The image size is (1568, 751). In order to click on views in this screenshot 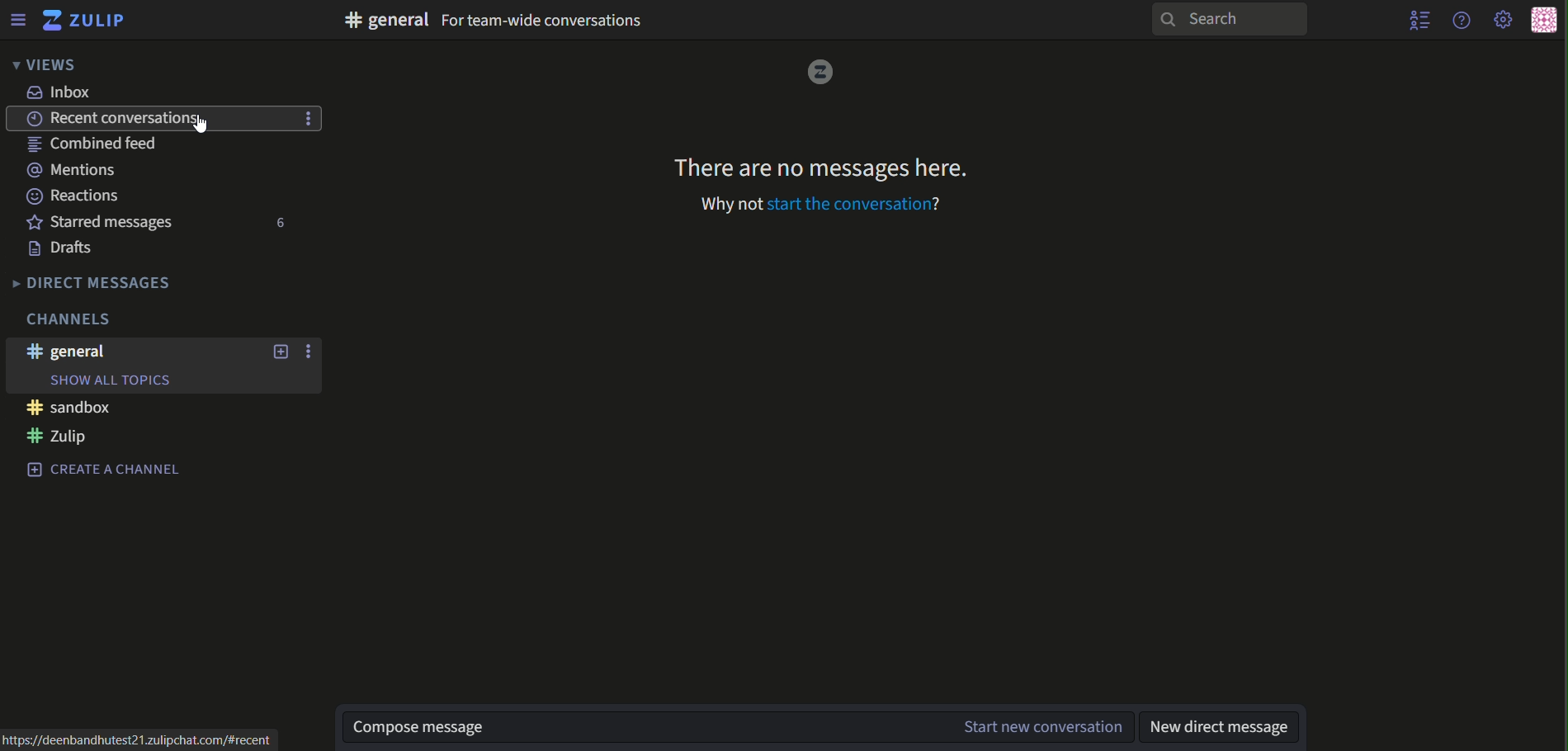, I will do `click(42, 64)`.